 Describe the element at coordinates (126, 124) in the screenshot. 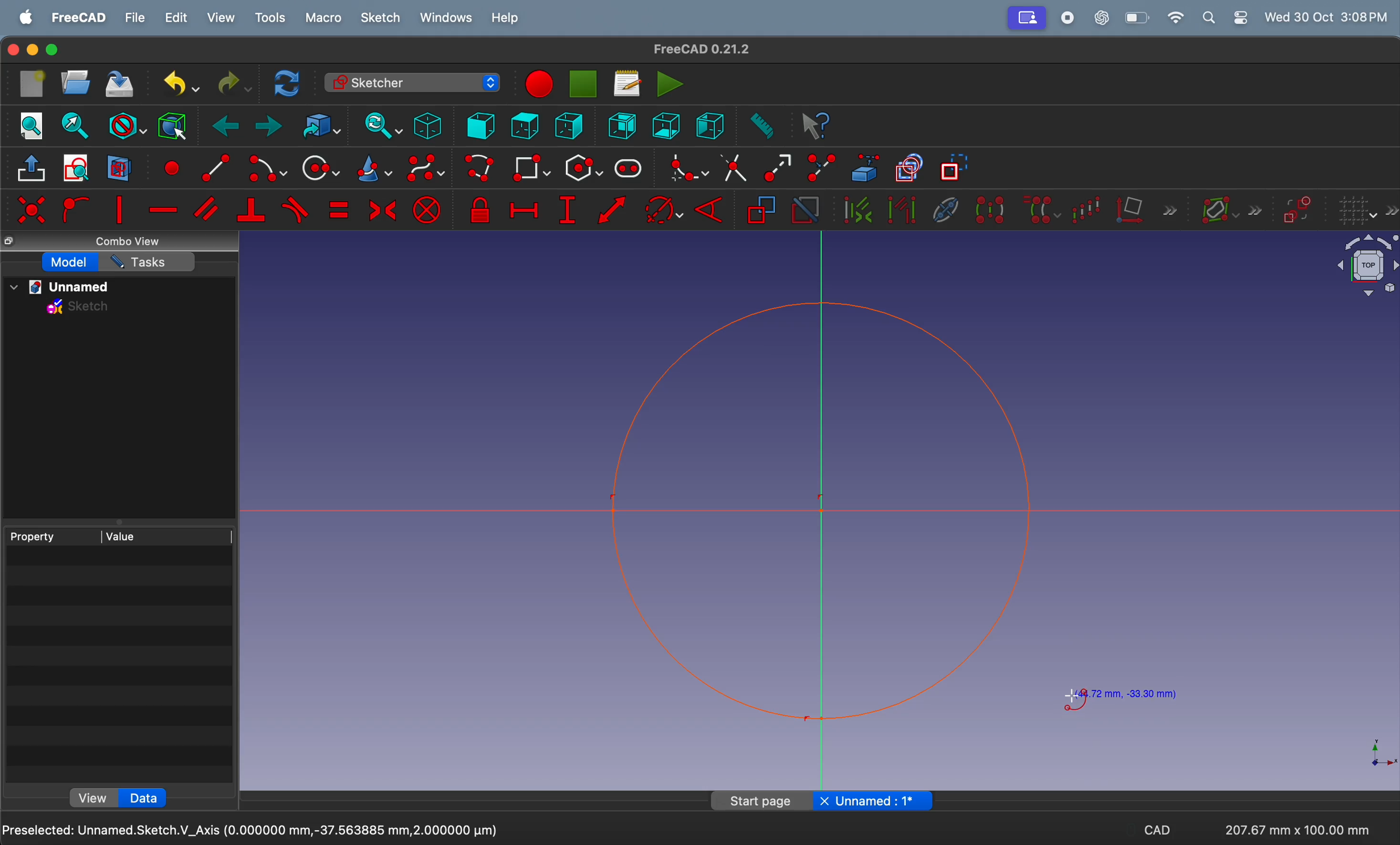

I see `draw styles` at that location.